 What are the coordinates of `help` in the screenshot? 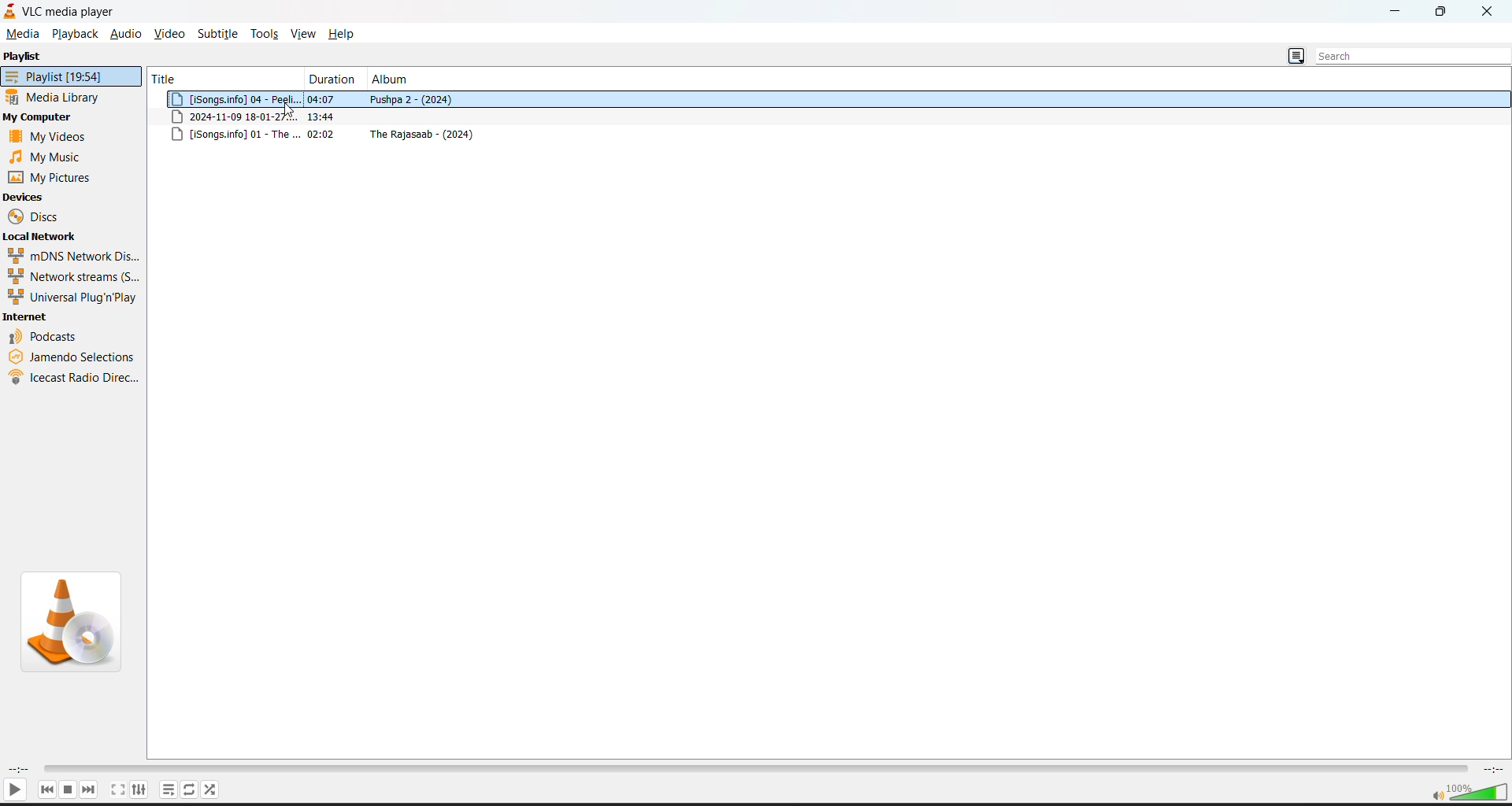 It's located at (348, 34).